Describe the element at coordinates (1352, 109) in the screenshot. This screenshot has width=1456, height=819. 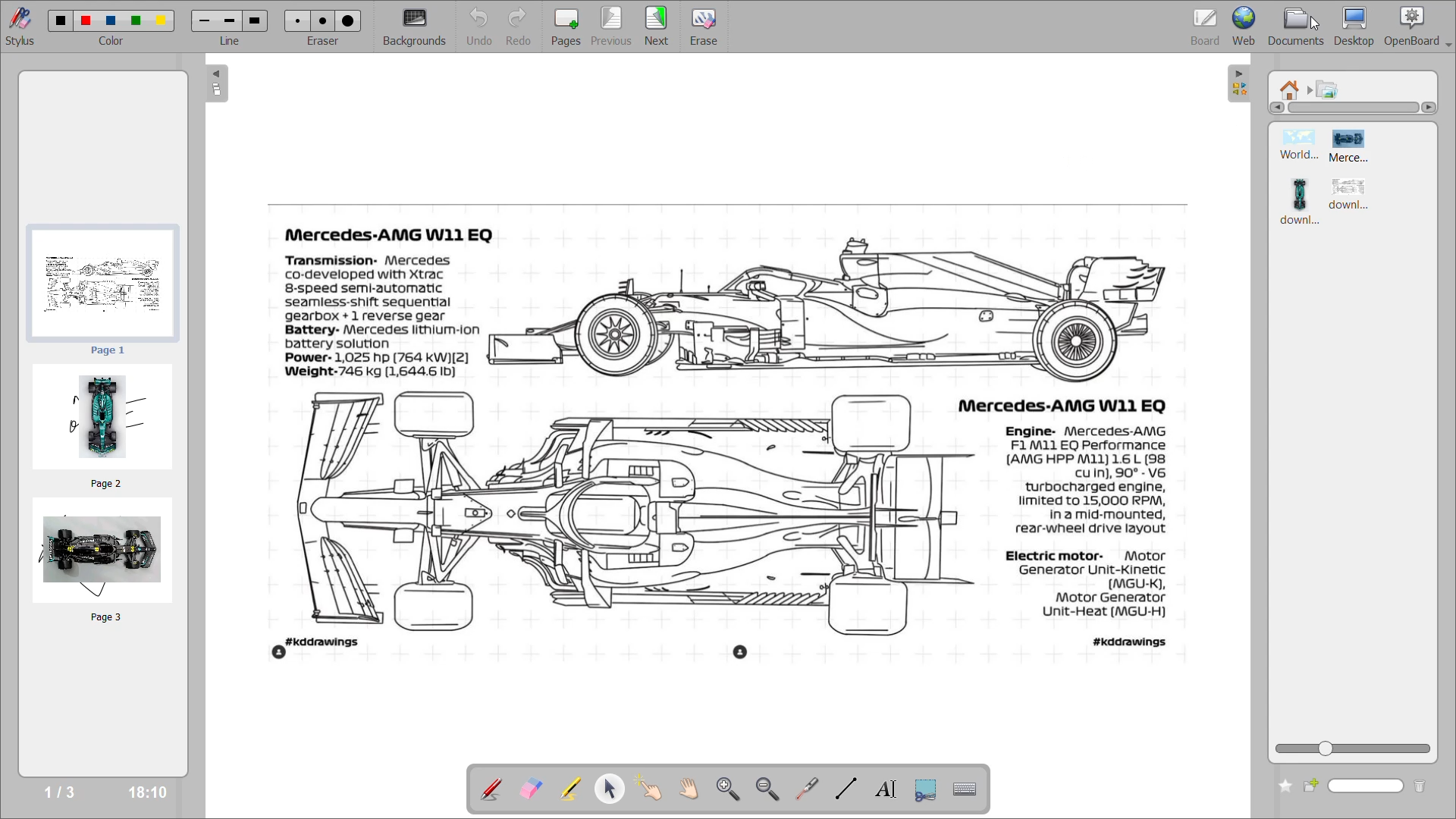
I see `horizontal scroll bar` at that location.